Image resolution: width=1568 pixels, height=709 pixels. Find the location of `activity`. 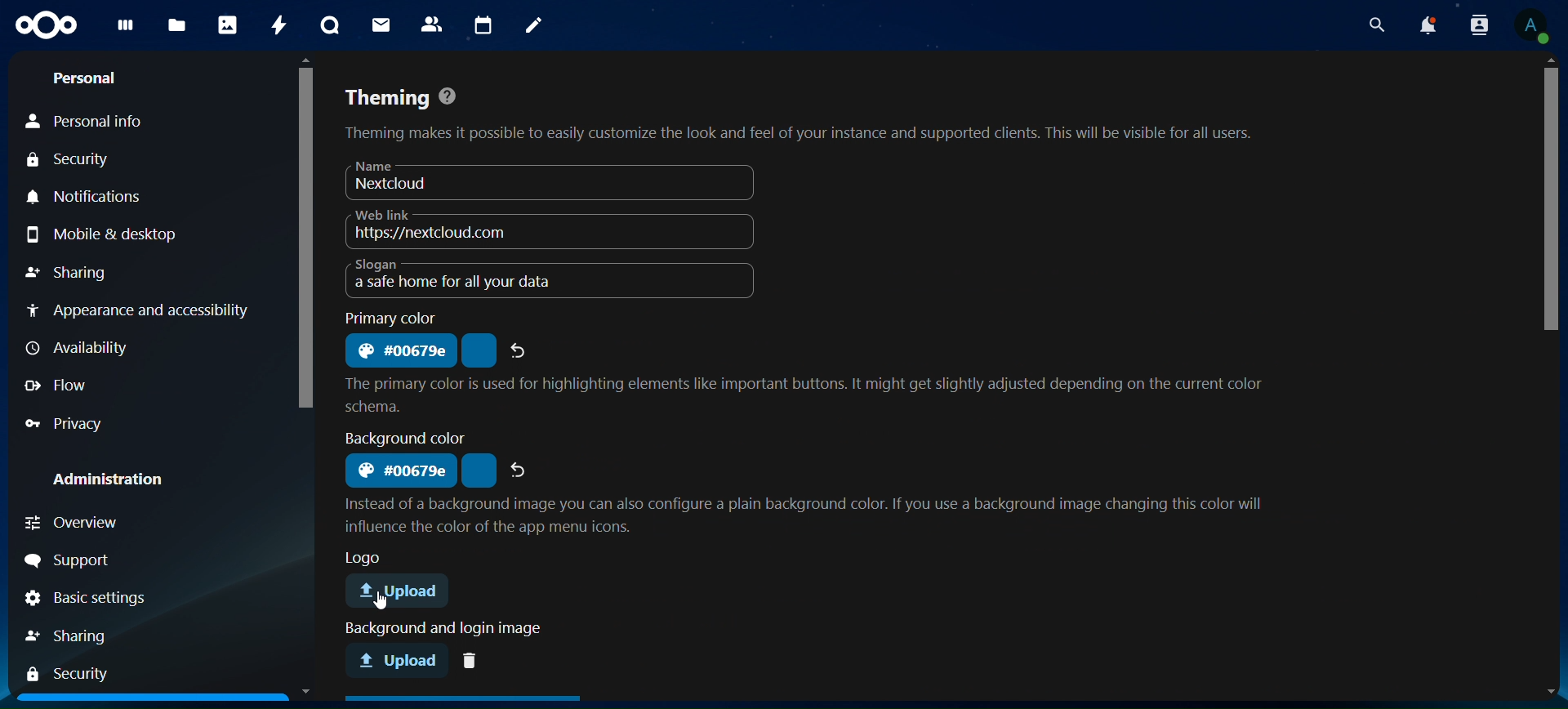

activity is located at coordinates (280, 24).